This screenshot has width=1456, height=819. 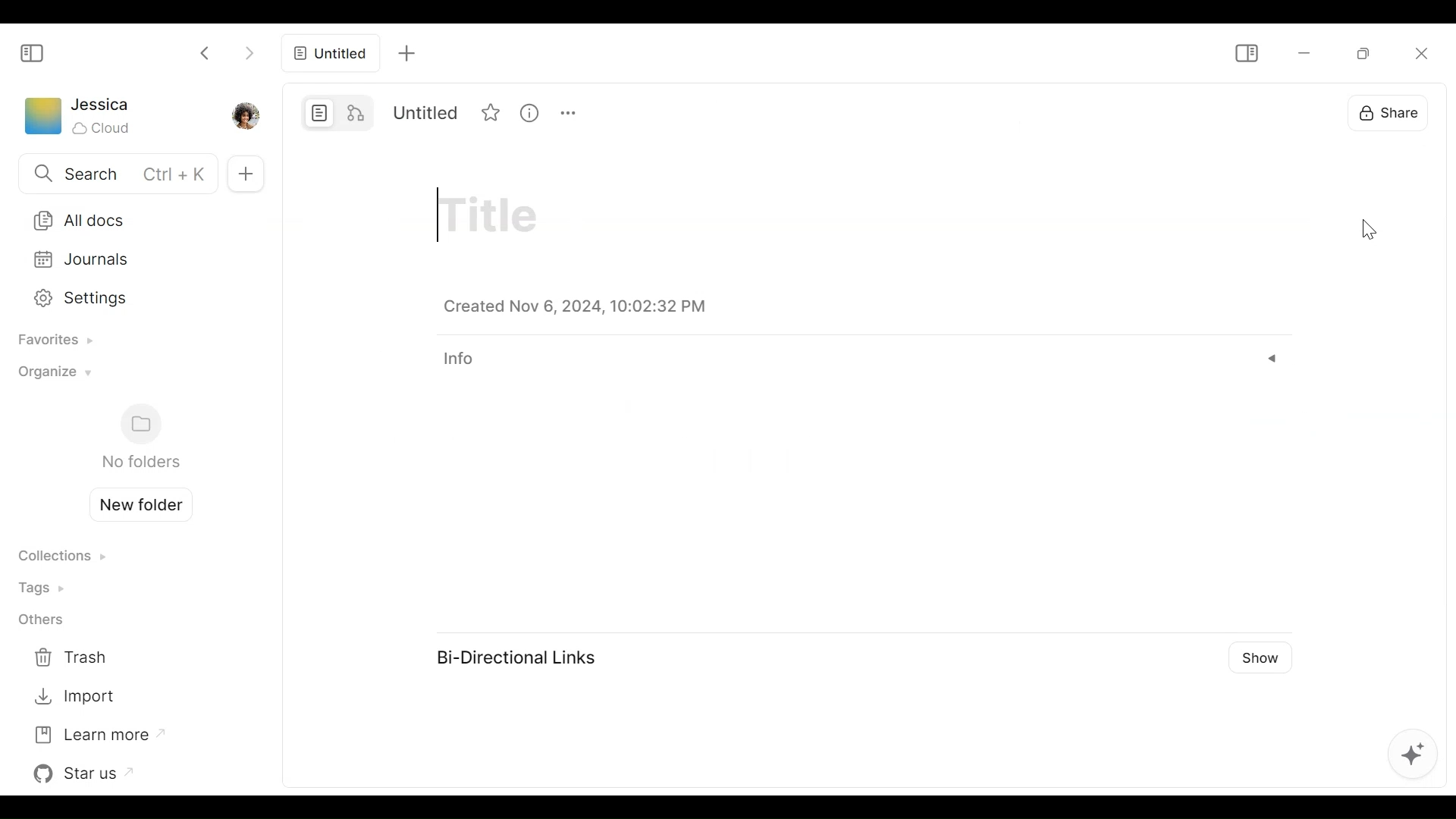 I want to click on Restore, so click(x=1366, y=52).